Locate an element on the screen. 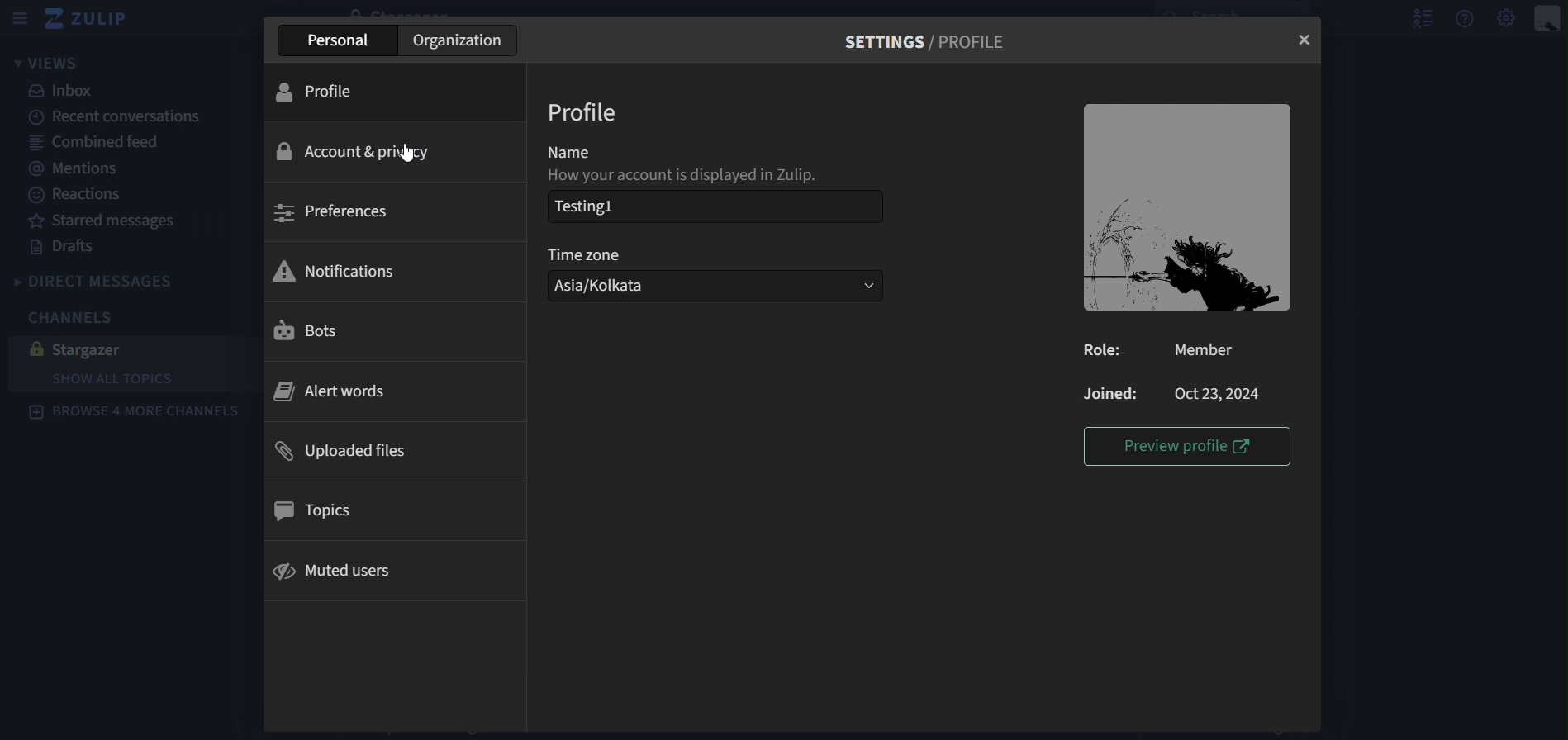  drafts is located at coordinates (64, 246).